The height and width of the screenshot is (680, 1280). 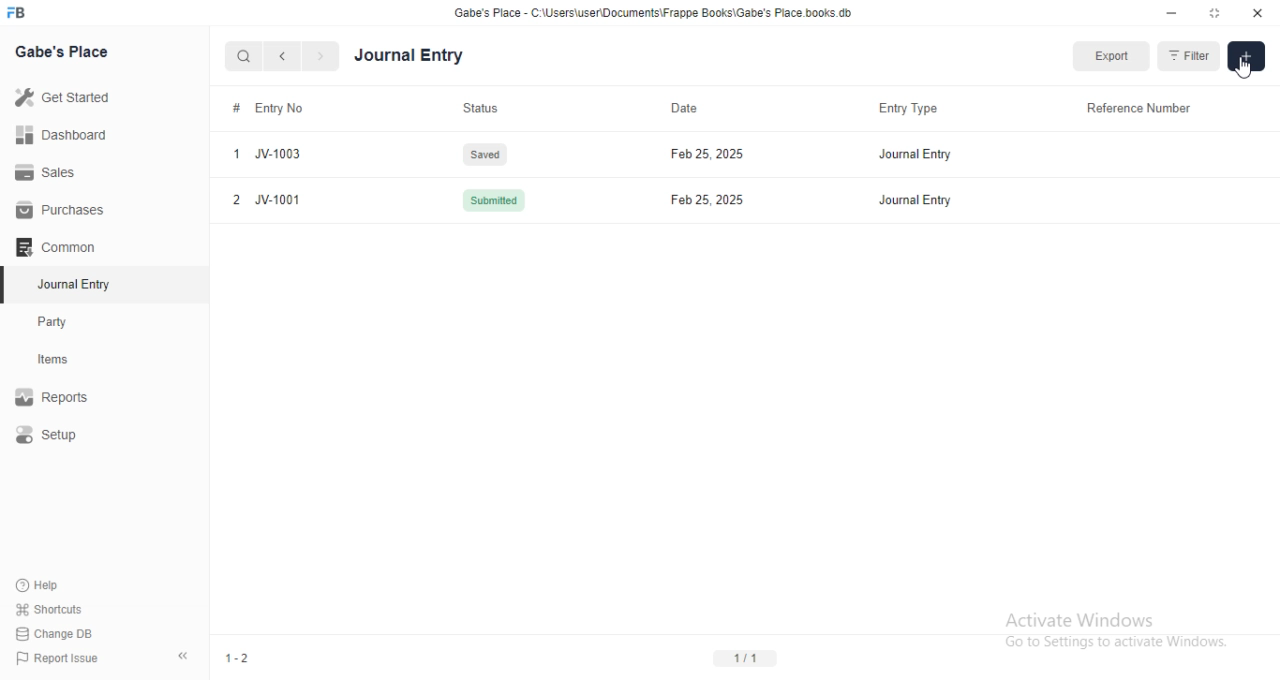 I want to click on Filter, so click(x=1188, y=57).